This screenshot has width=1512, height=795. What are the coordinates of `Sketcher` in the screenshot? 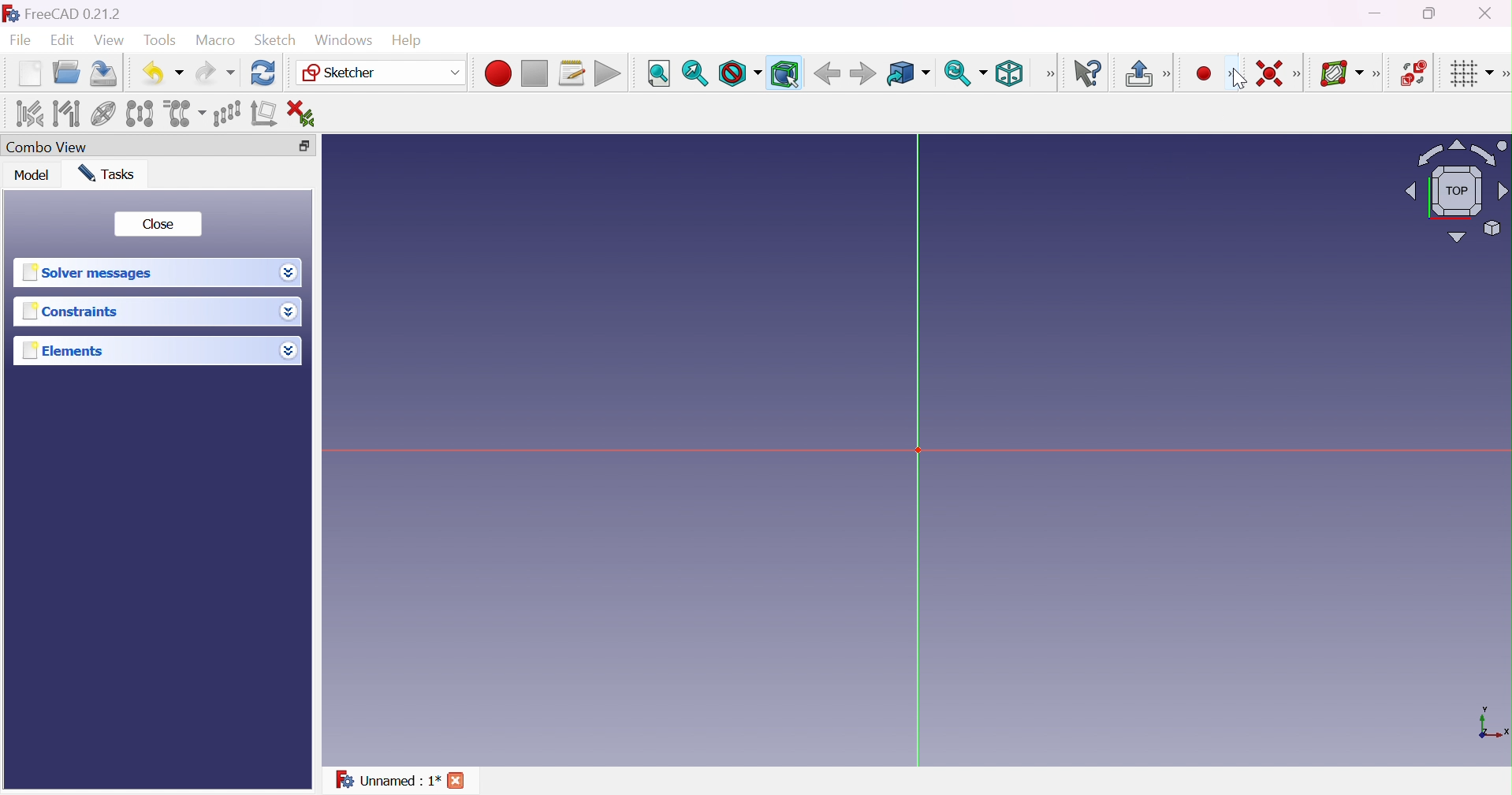 It's located at (382, 74).